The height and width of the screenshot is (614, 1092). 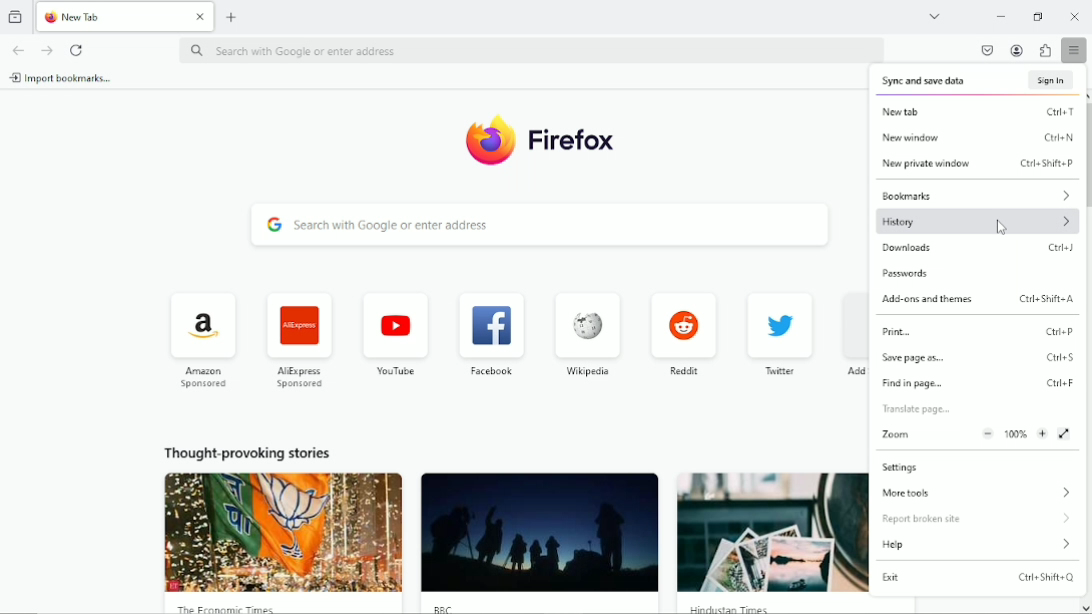 I want to click on Bookmarks >, so click(x=974, y=194).